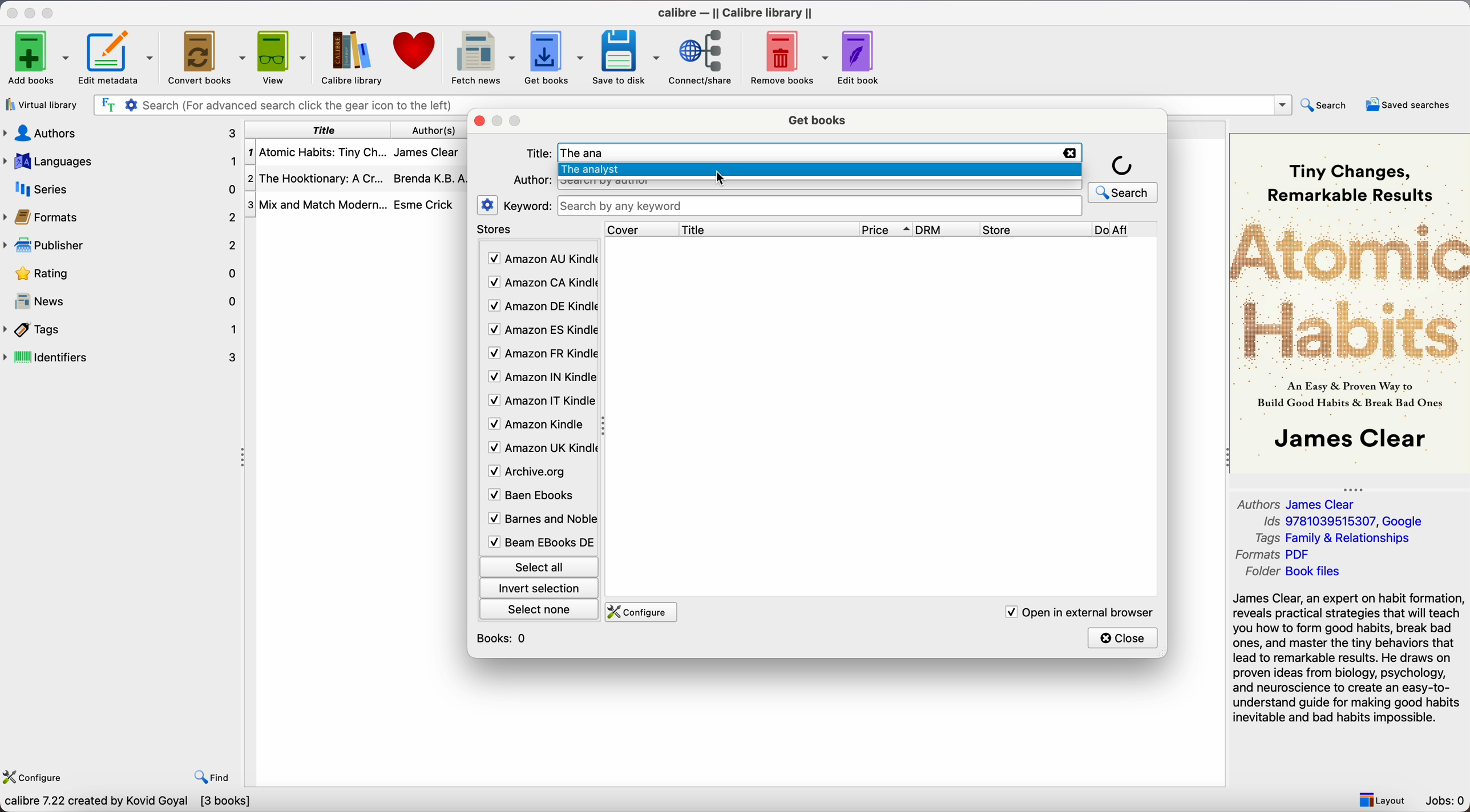  Describe the element at coordinates (434, 131) in the screenshot. I see `authors` at that location.